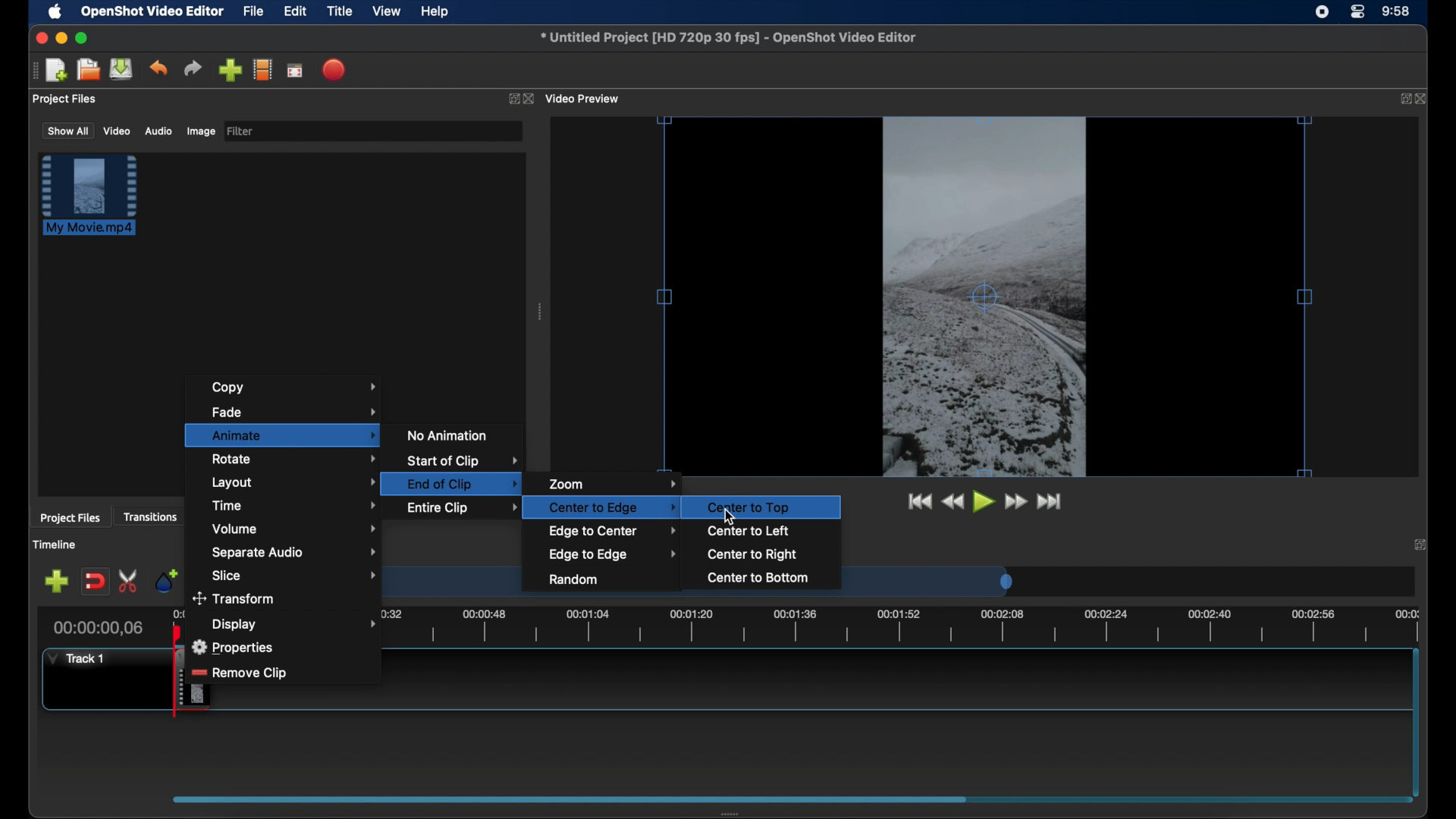 This screenshot has width=1456, height=819. What do you see at coordinates (918, 501) in the screenshot?
I see `jumpt to start` at bounding box center [918, 501].